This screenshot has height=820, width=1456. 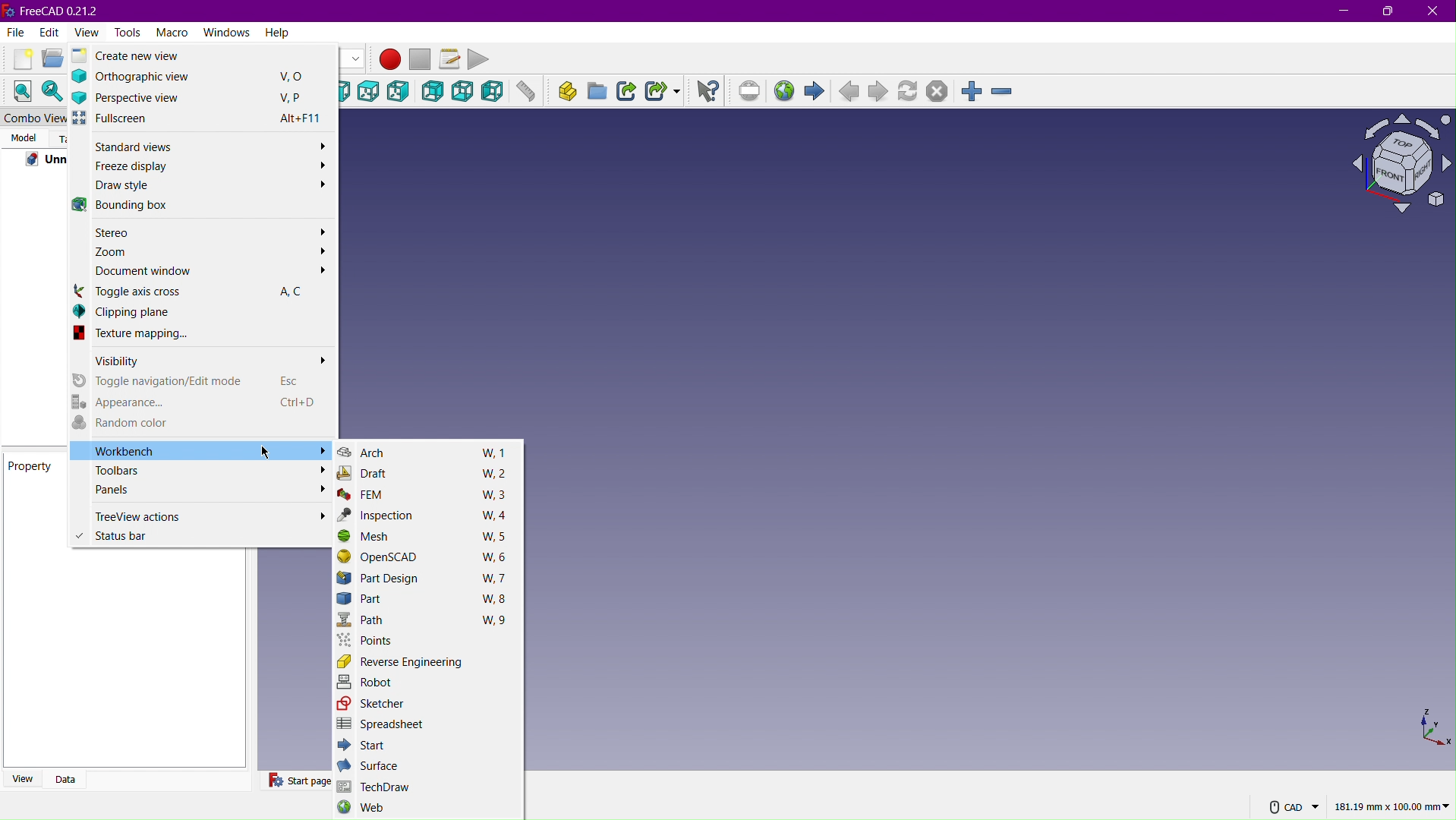 What do you see at coordinates (200, 490) in the screenshot?
I see `Panels` at bounding box center [200, 490].